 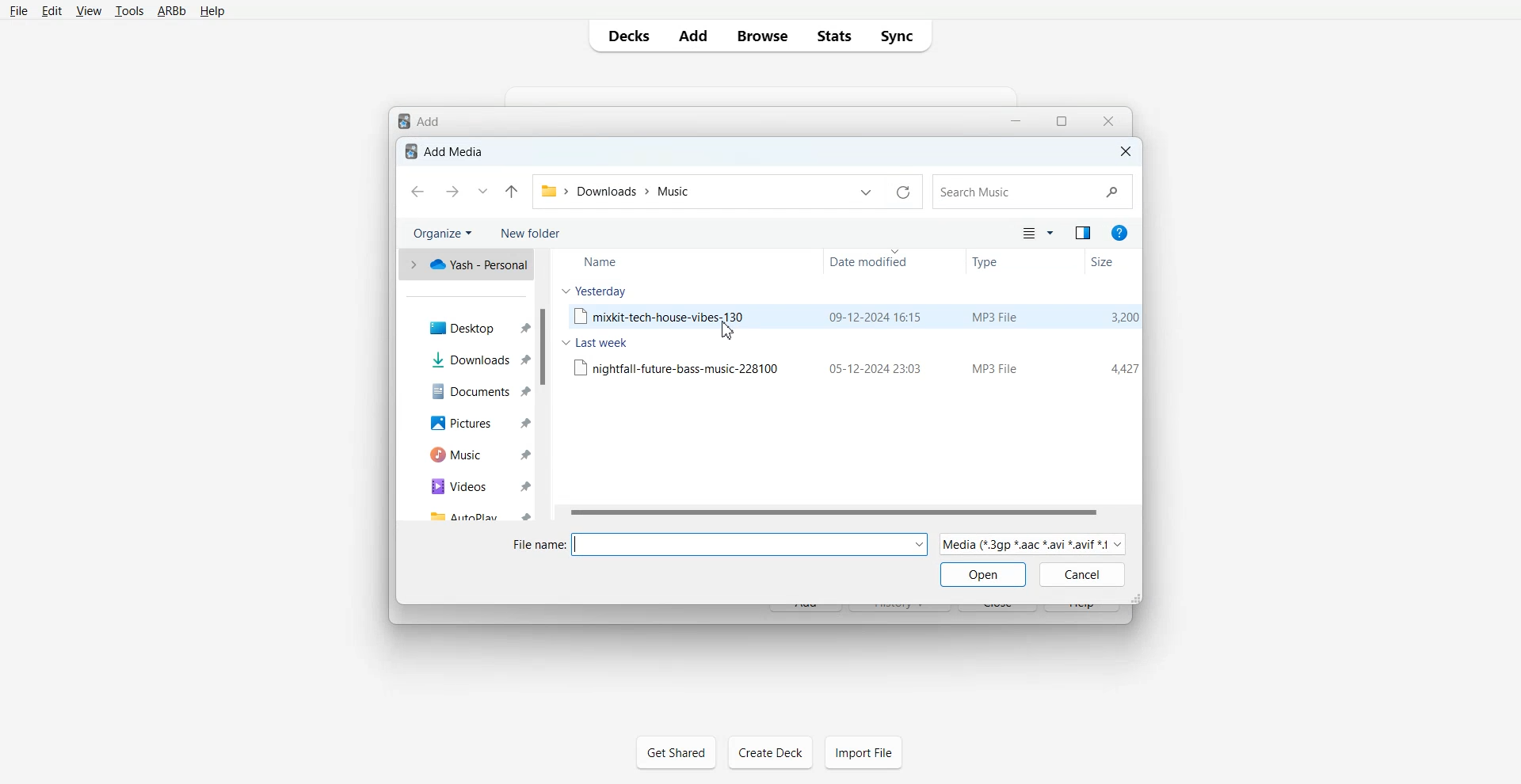 What do you see at coordinates (212, 10) in the screenshot?
I see `Help` at bounding box center [212, 10].